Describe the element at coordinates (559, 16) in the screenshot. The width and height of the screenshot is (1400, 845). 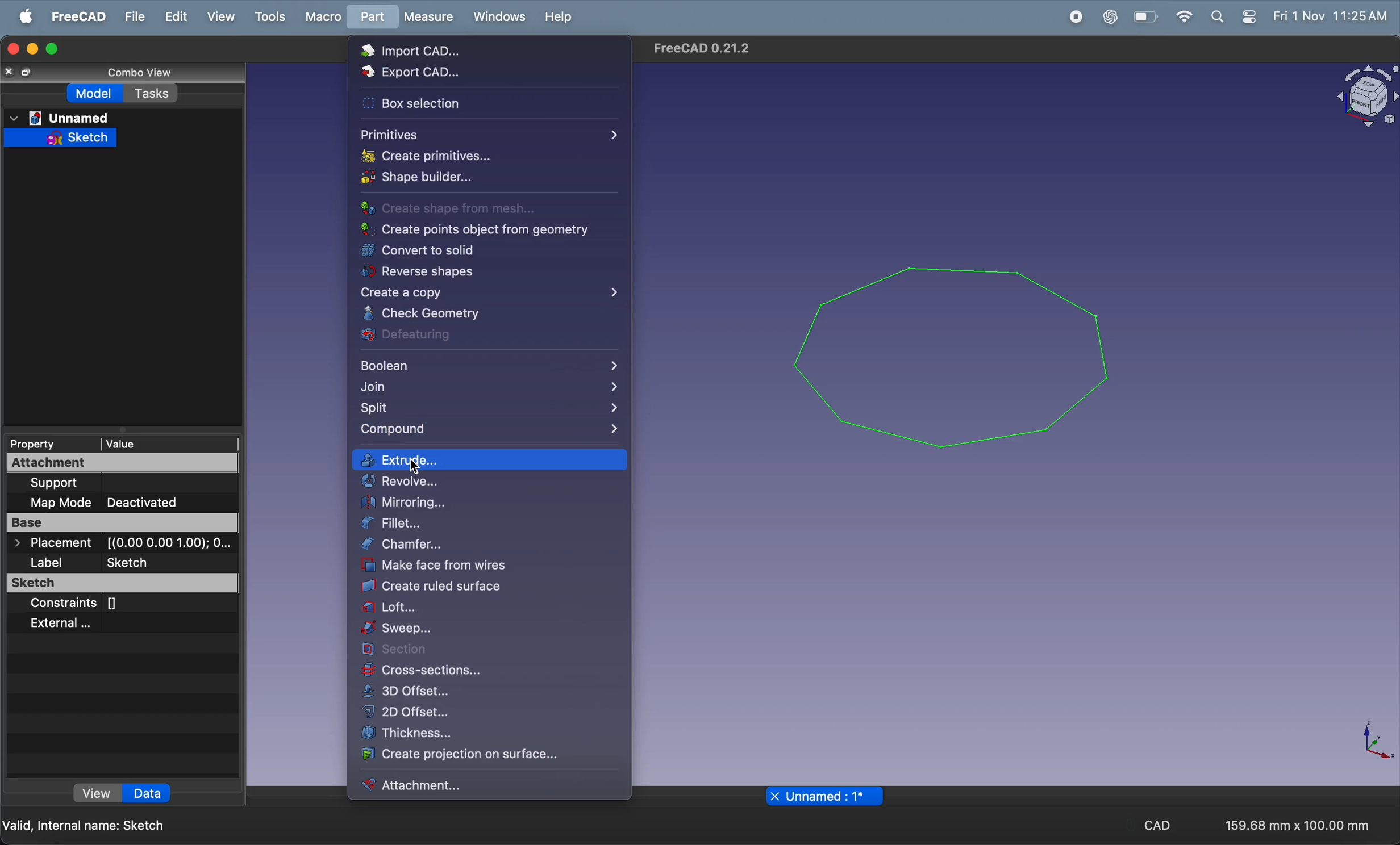
I see `help` at that location.